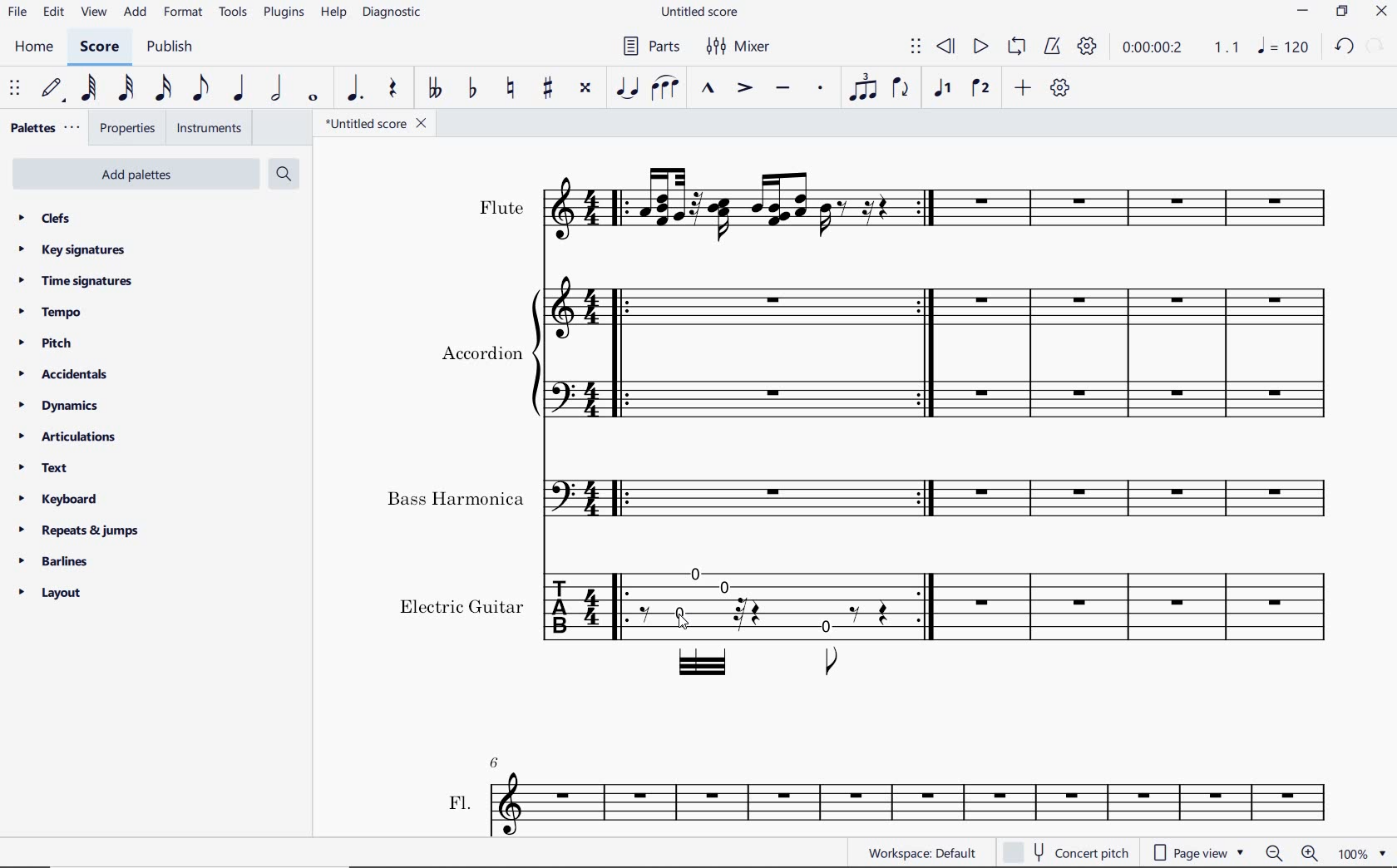 The height and width of the screenshot is (868, 1397). Describe the element at coordinates (1291, 852) in the screenshot. I see `ZOOM OUT OR ZOOM IN` at that location.